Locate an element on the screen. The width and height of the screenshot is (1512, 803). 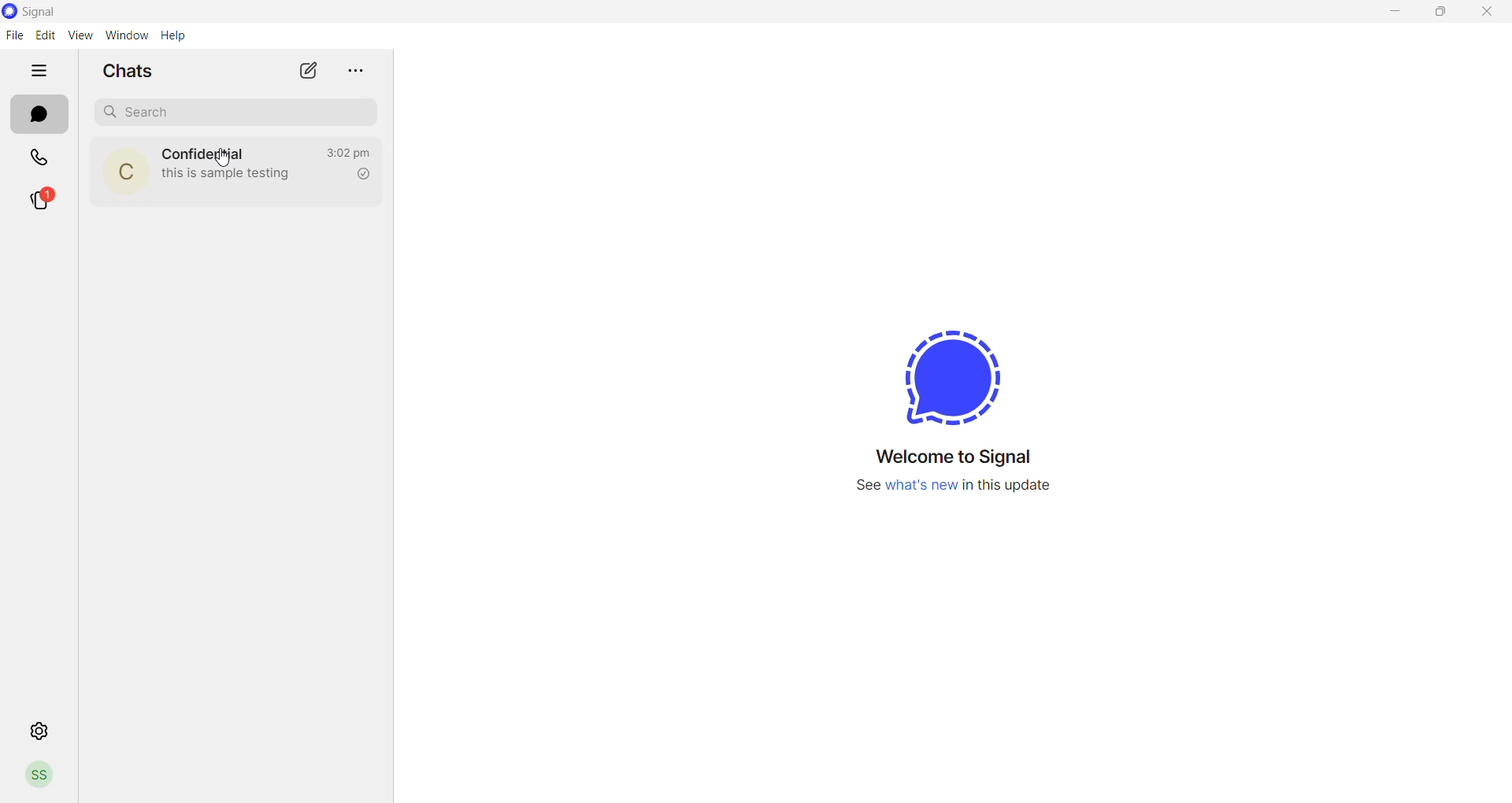
search box is located at coordinates (233, 111).